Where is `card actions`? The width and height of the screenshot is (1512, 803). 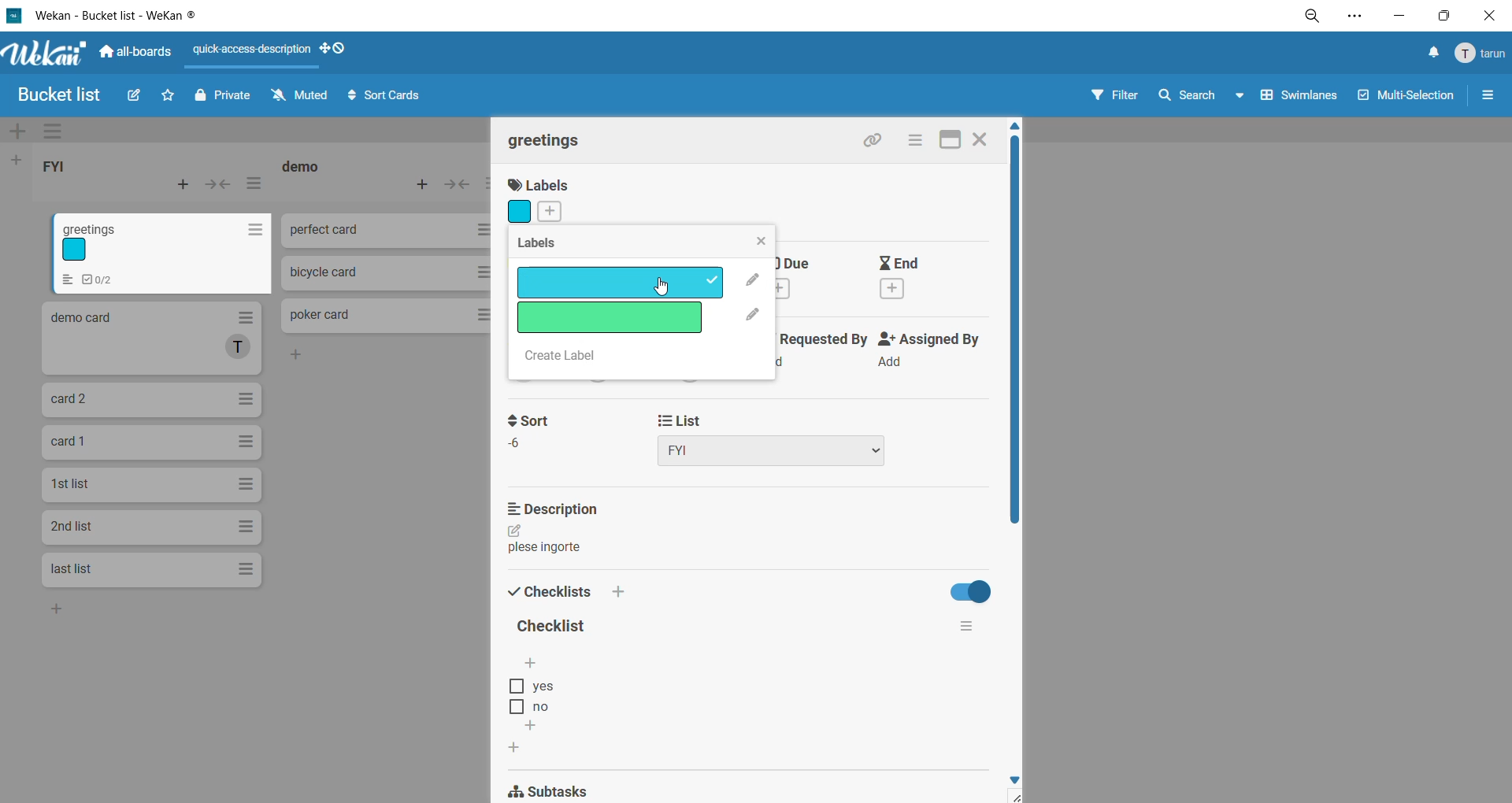
card actions is located at coordinates (919, 139).